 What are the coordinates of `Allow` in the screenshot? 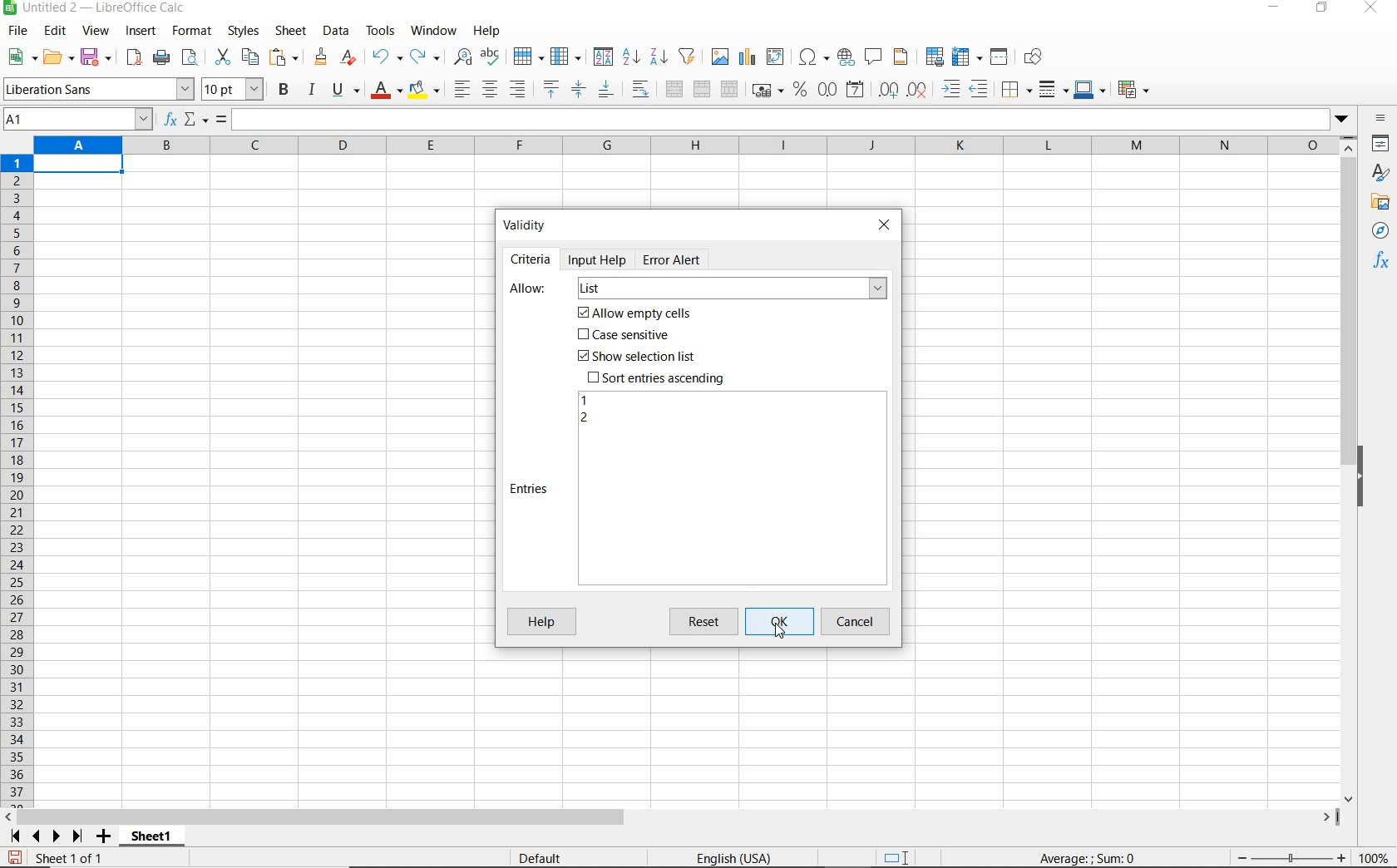 It's located at (529, 289).